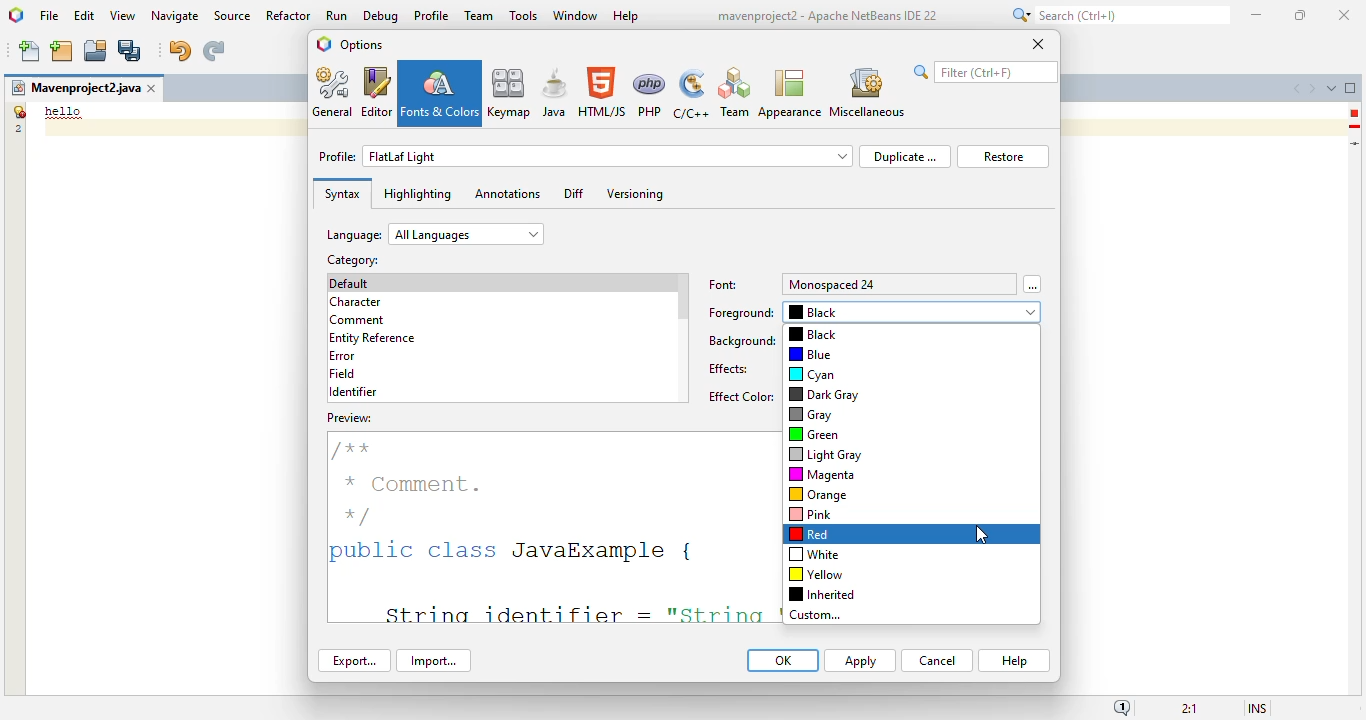  I want to click on effects: , so click(730, 369).